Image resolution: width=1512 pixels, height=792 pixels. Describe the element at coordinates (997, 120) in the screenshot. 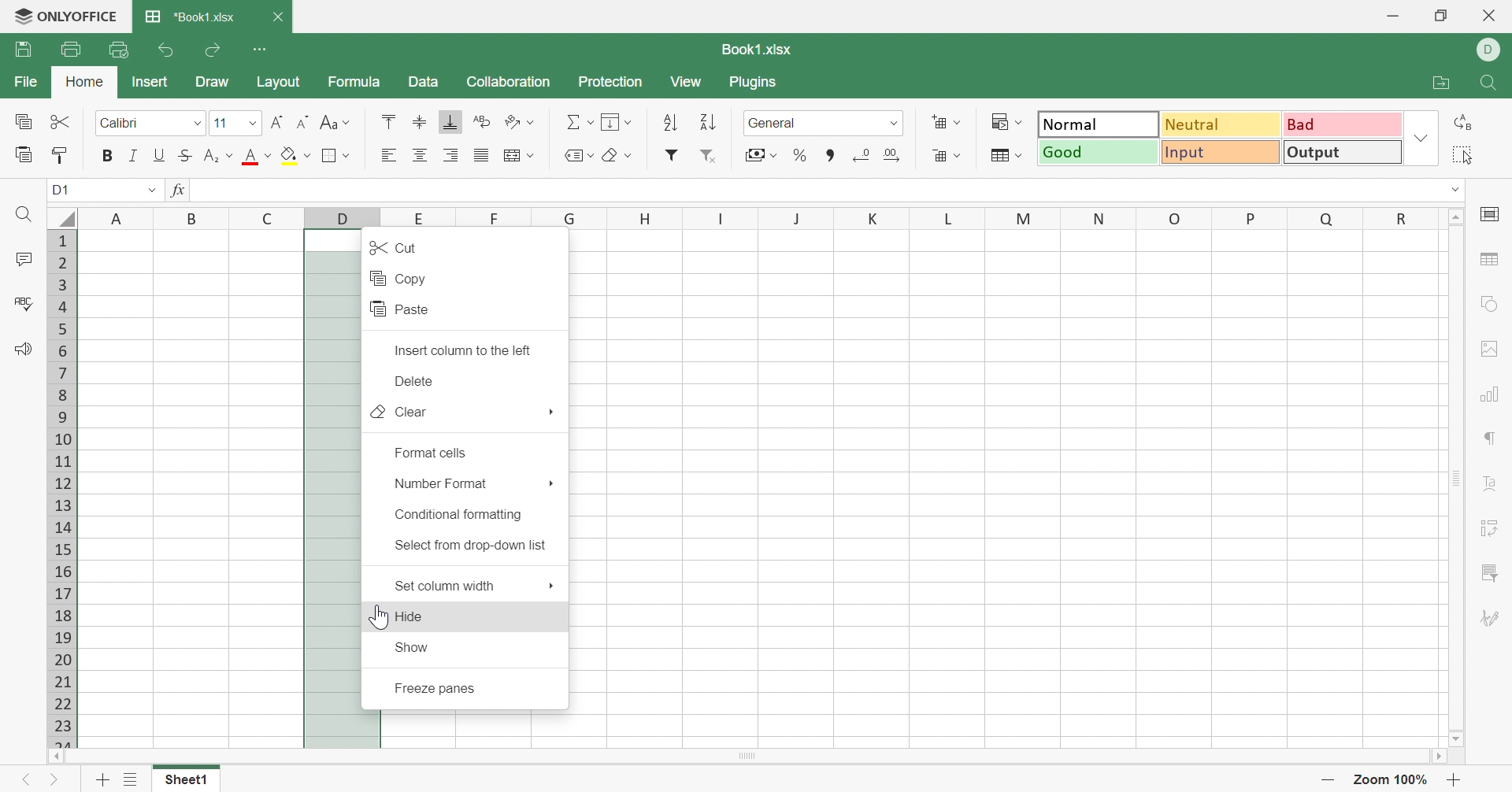

I see `Conditional formatting` at that location.